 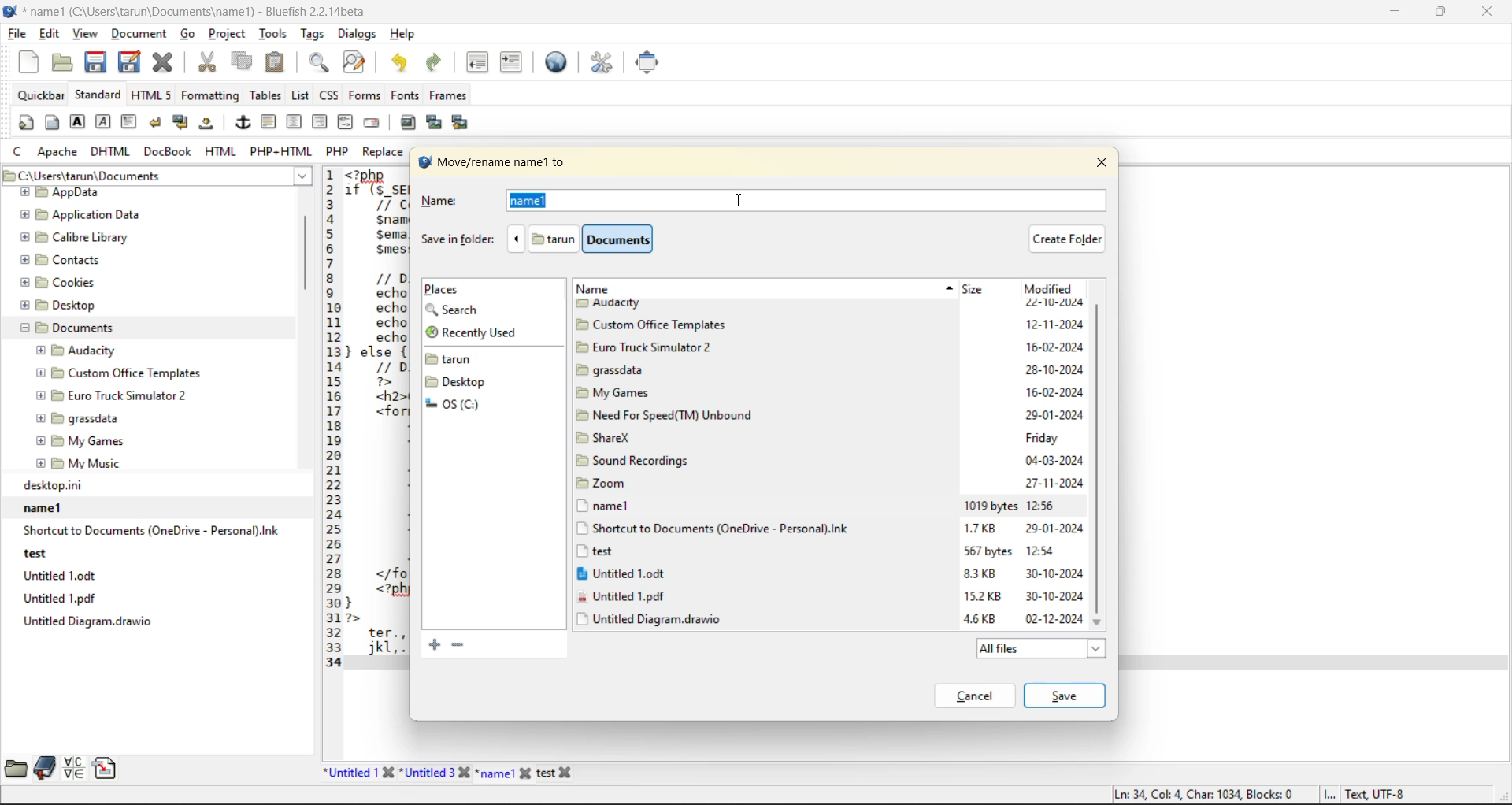 What do you see at coordinates (27, 123) in the screenshot?
I see `quickstart` at bounding box center [27, 123].